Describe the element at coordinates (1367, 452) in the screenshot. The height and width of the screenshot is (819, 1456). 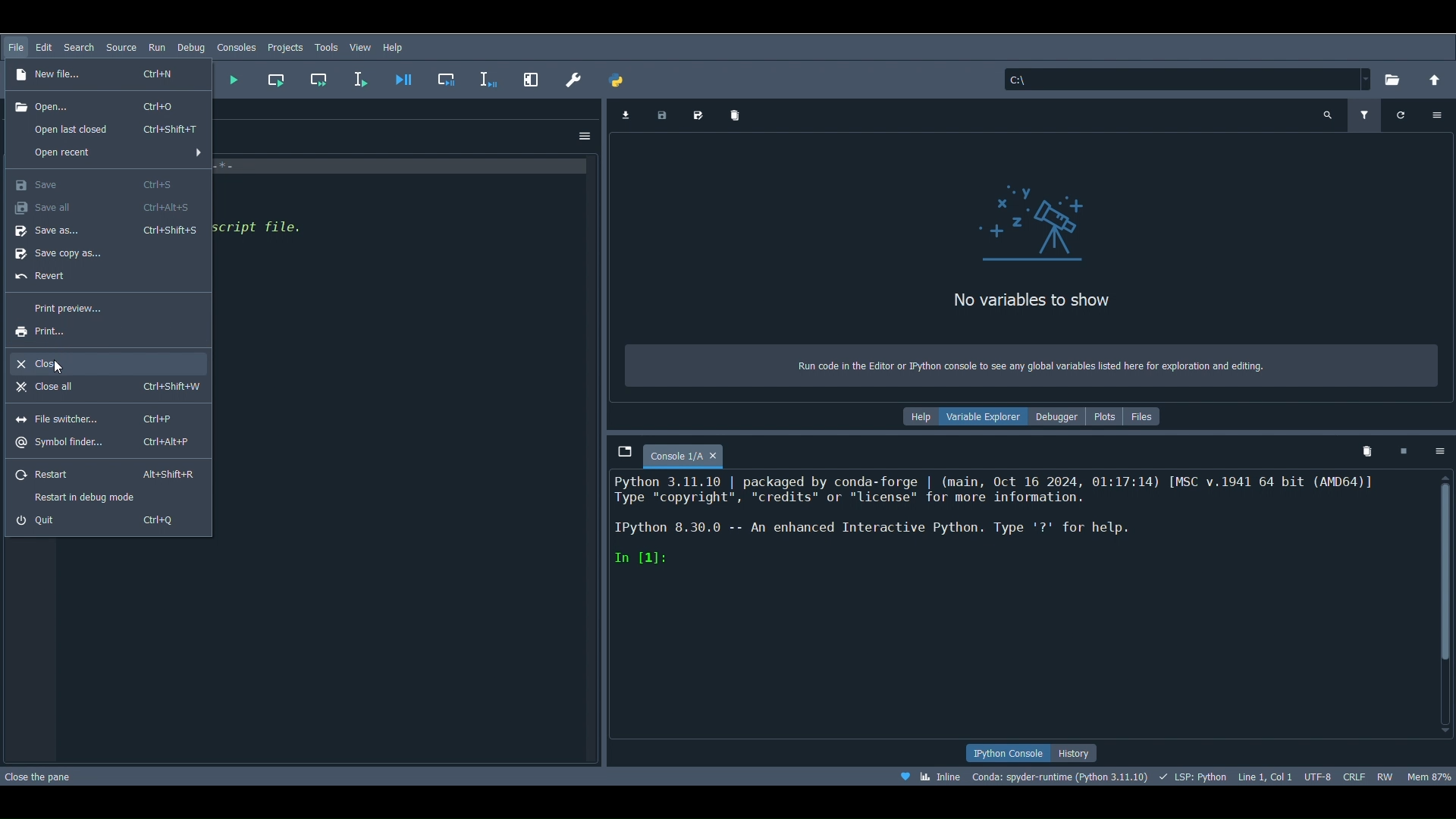
I see `Remove all variables from namespace` at that location.